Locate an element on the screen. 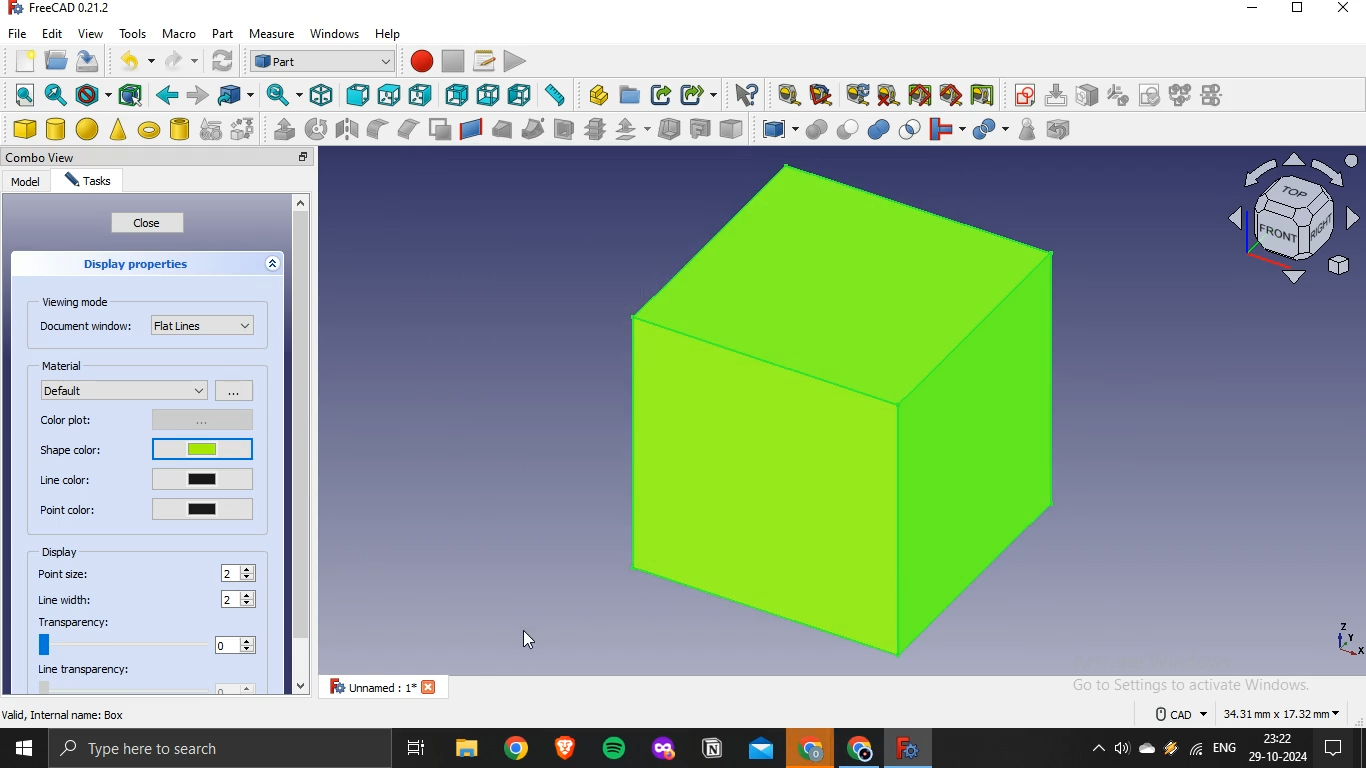 Image resolution: width=1366 pixels, height=768 pixels. boolean is located at coordinates (816, 129).